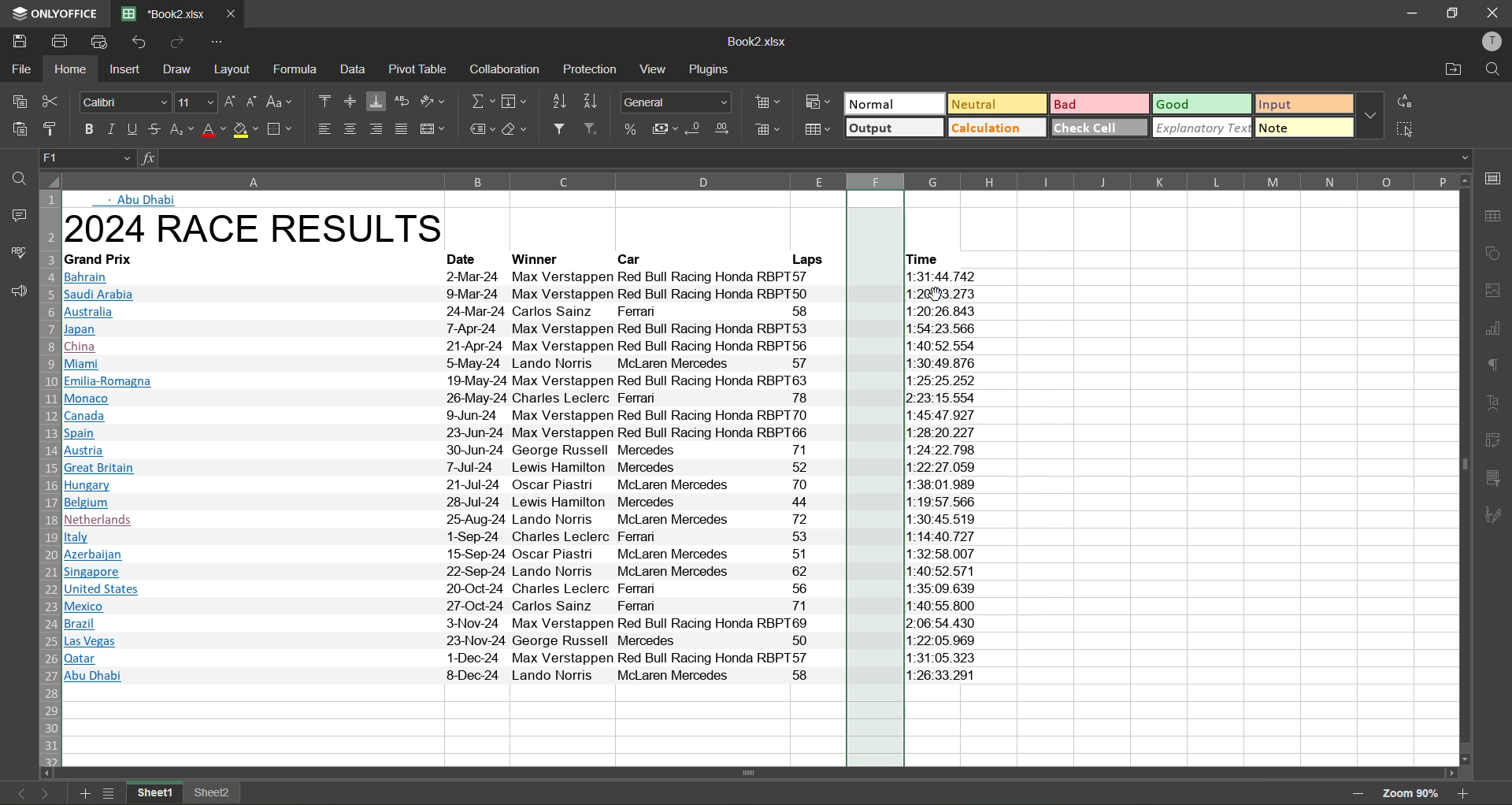 This screenshot has height=805, width=1512. I want to click on layout, so click(232, 69).